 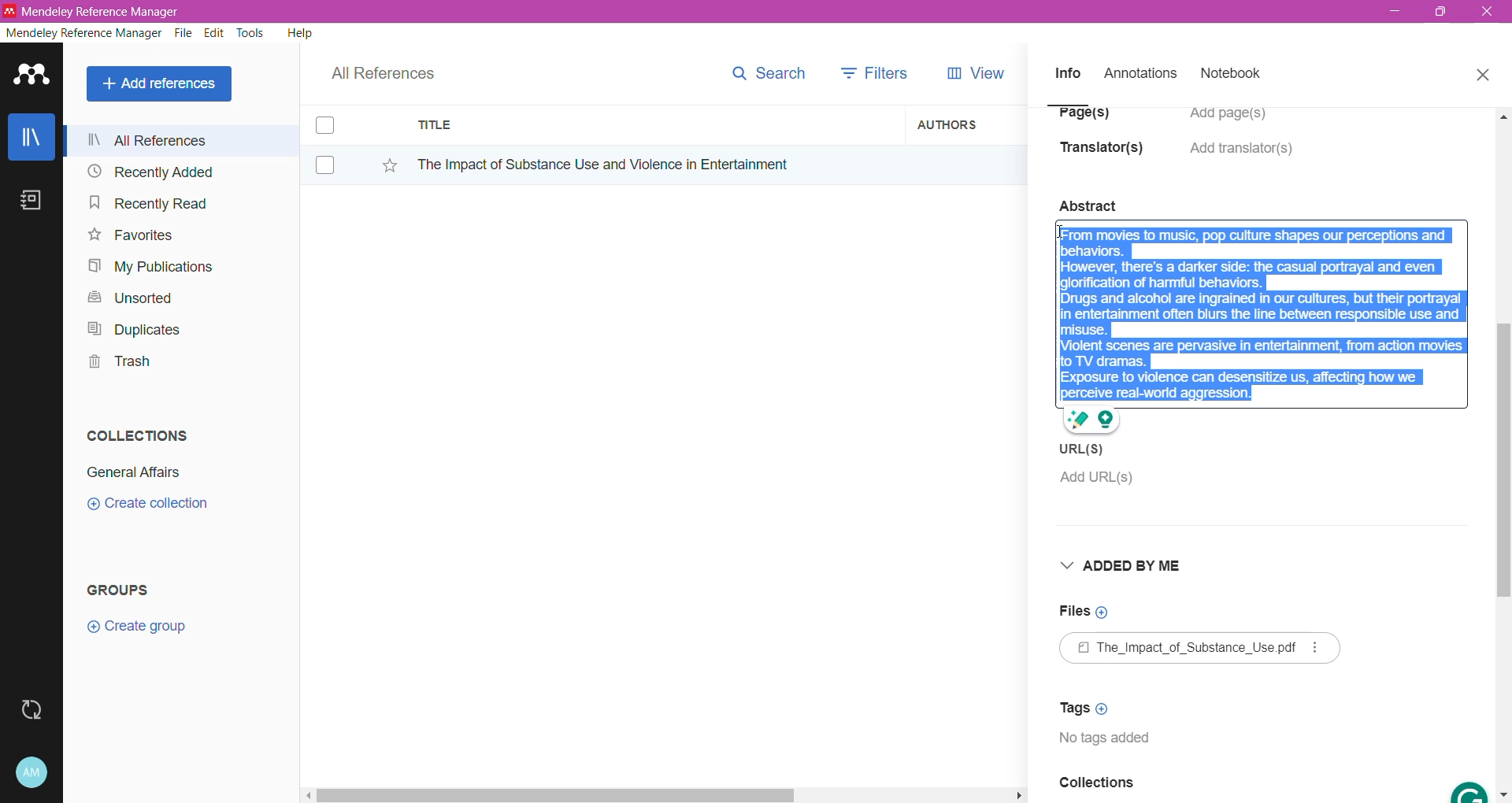 What do you see at coordinates (129, 327) in the screenshot?
I see `Duplicates` at bounding box center [129, 327].